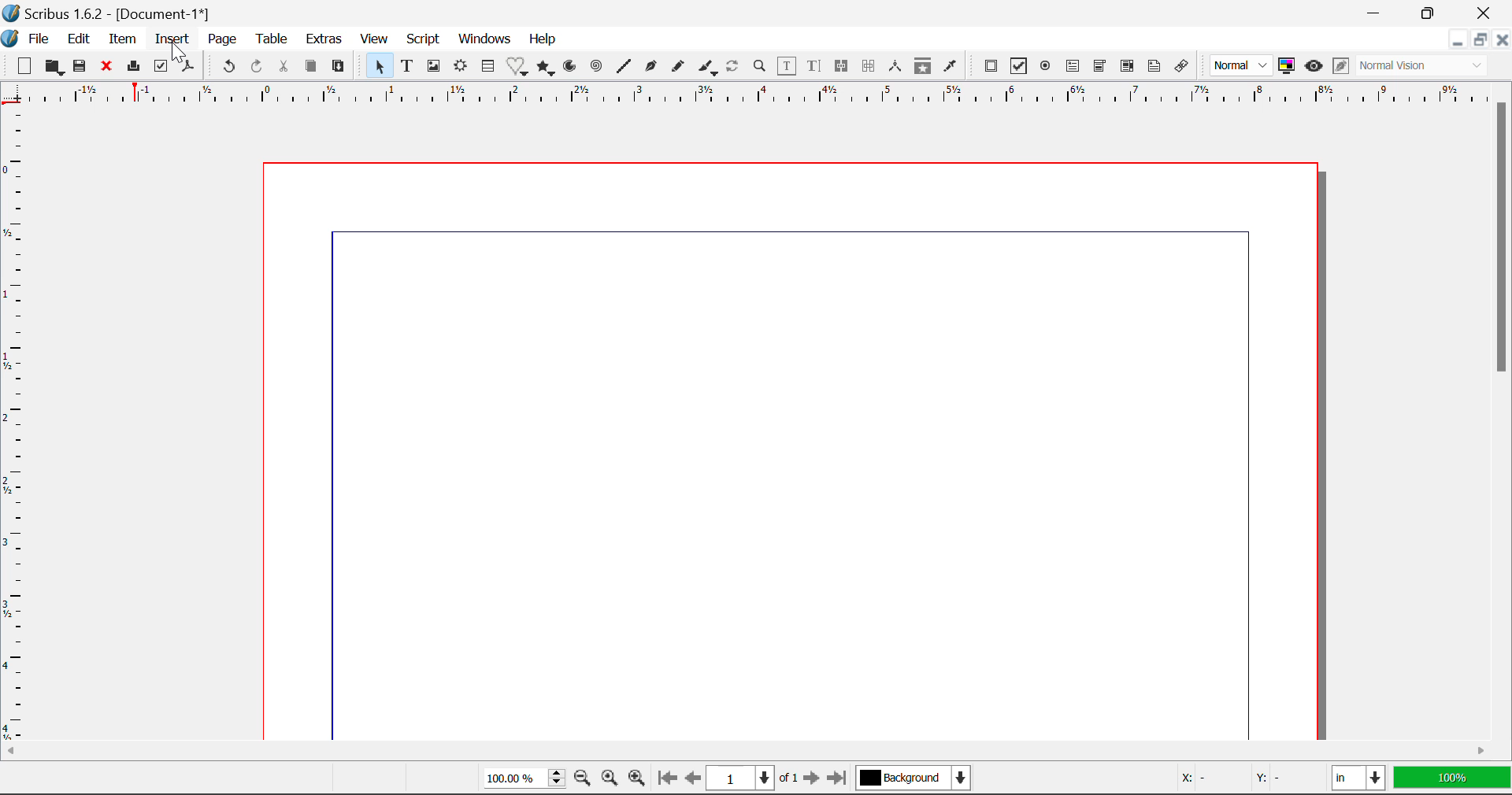 The height and width of the screenshot is (795, 1512). What do you see at coordinates (1285, 777) in the screenshot?
I see `Y: -` at bounding box center [1285, 777].